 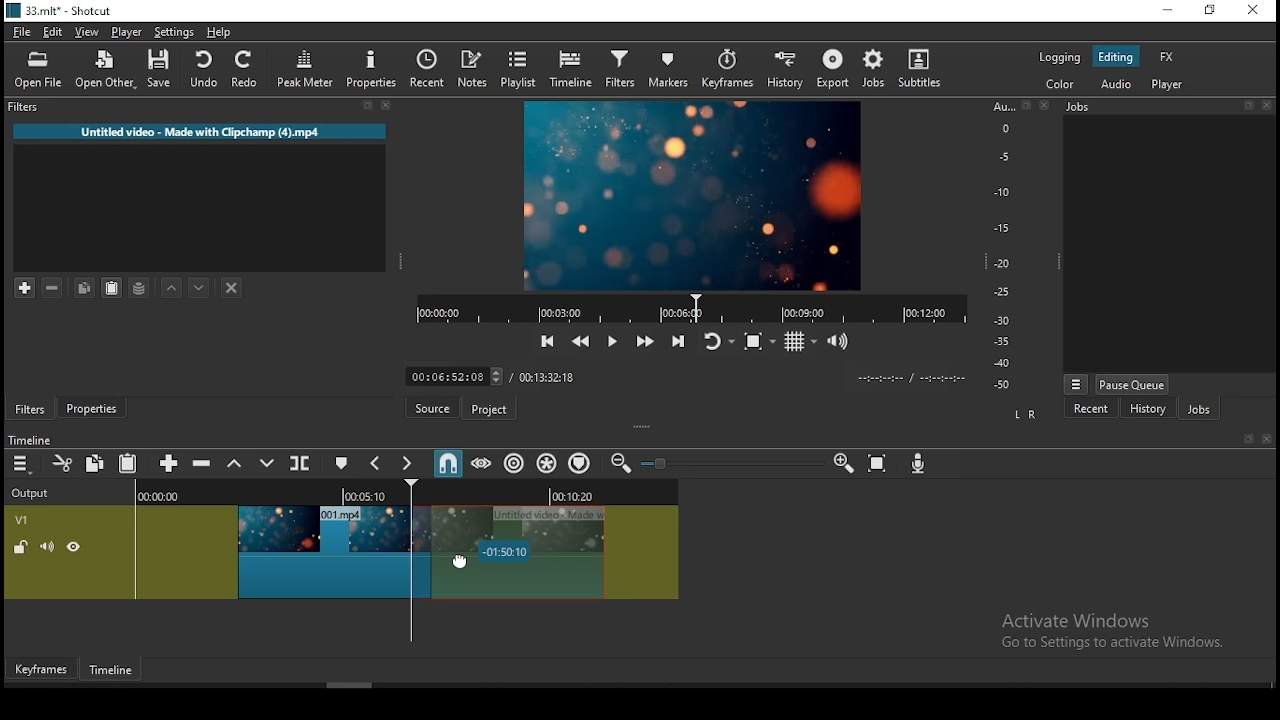 What do you see at coordinates (53, 31) in the screenshot?
I see `edit` at bounding box center [53, 31].